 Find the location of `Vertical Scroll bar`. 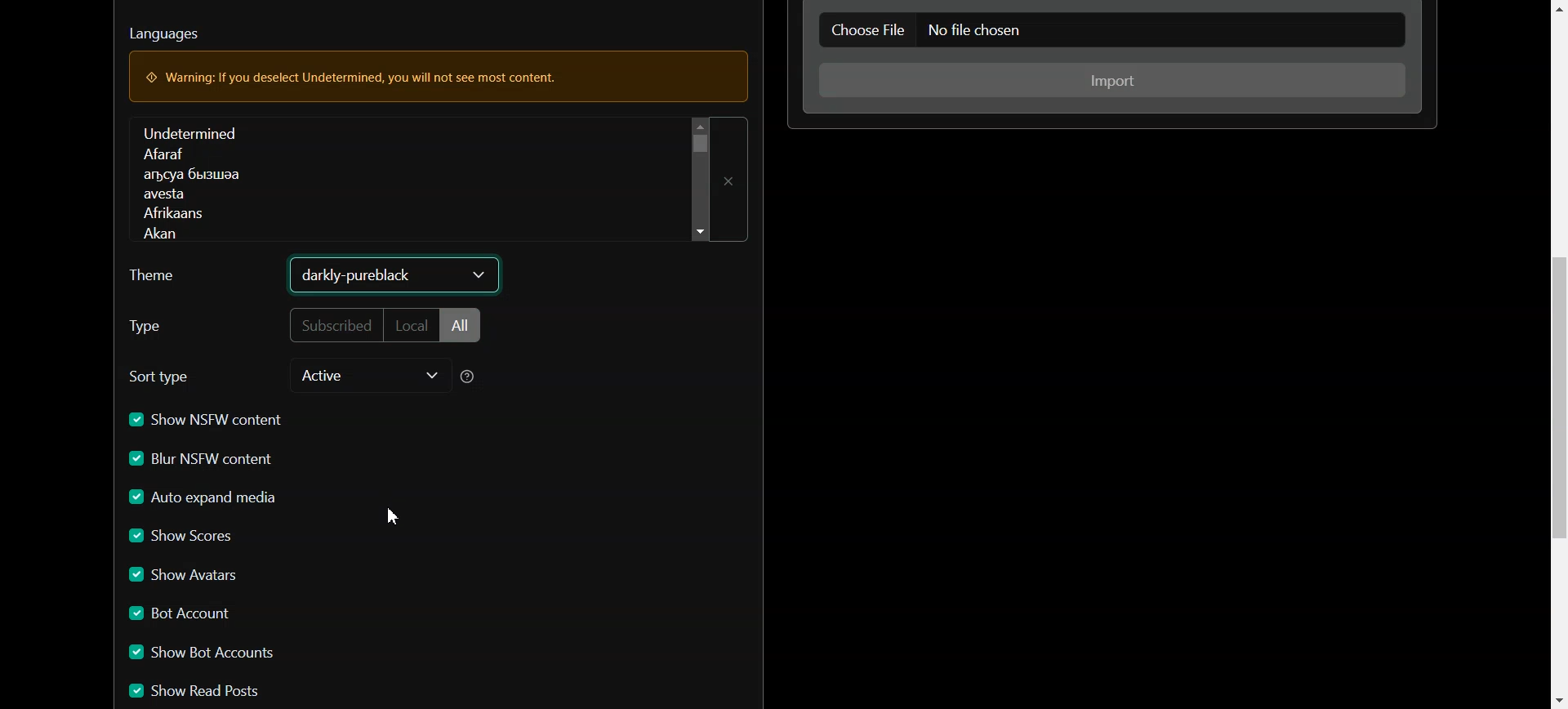

Vertical Scroll bar is located at coordinates (1557, 354).